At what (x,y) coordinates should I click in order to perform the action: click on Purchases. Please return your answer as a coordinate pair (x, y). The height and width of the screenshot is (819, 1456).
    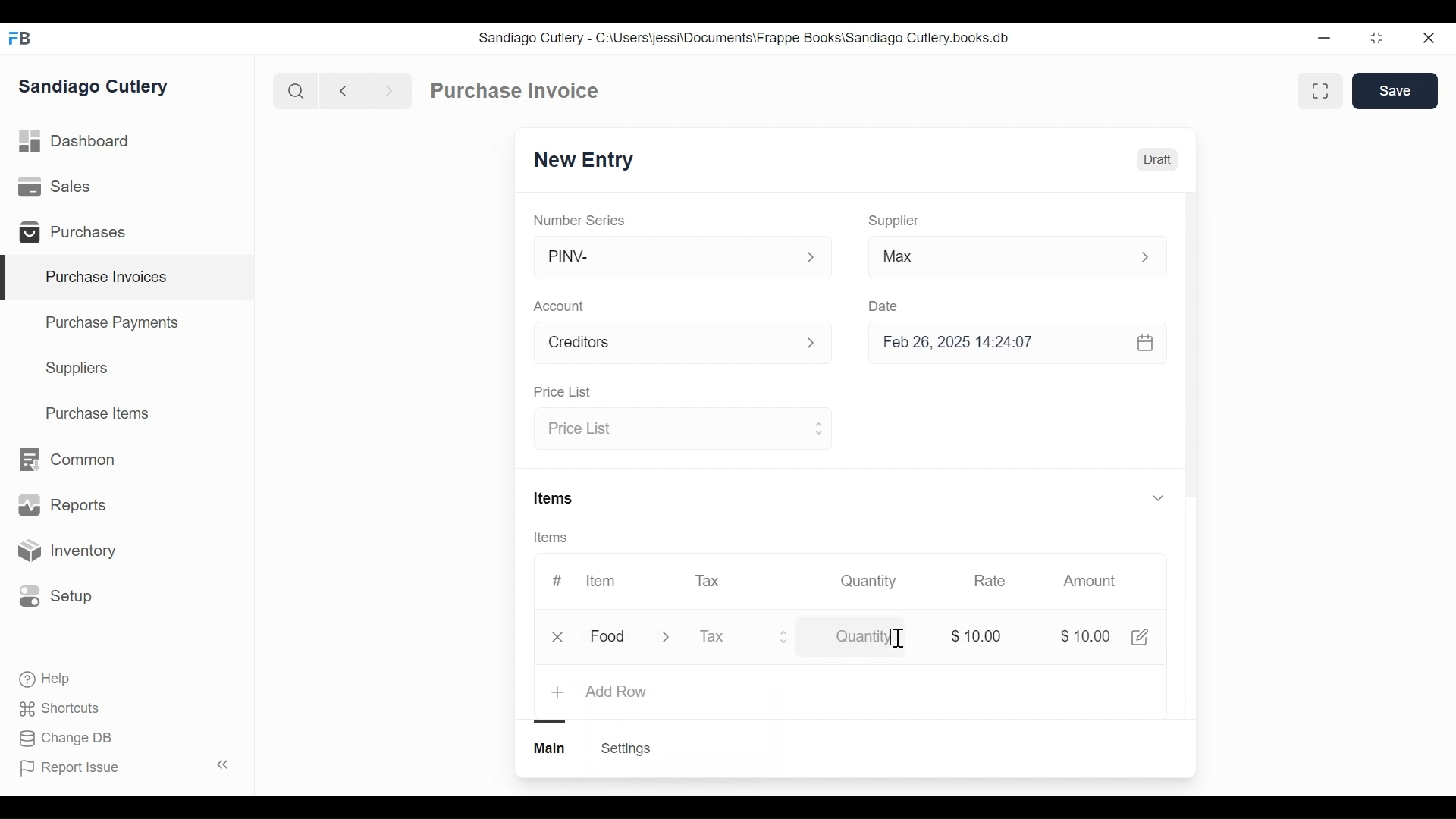
    Looking at the image, I should click on (79, 234).